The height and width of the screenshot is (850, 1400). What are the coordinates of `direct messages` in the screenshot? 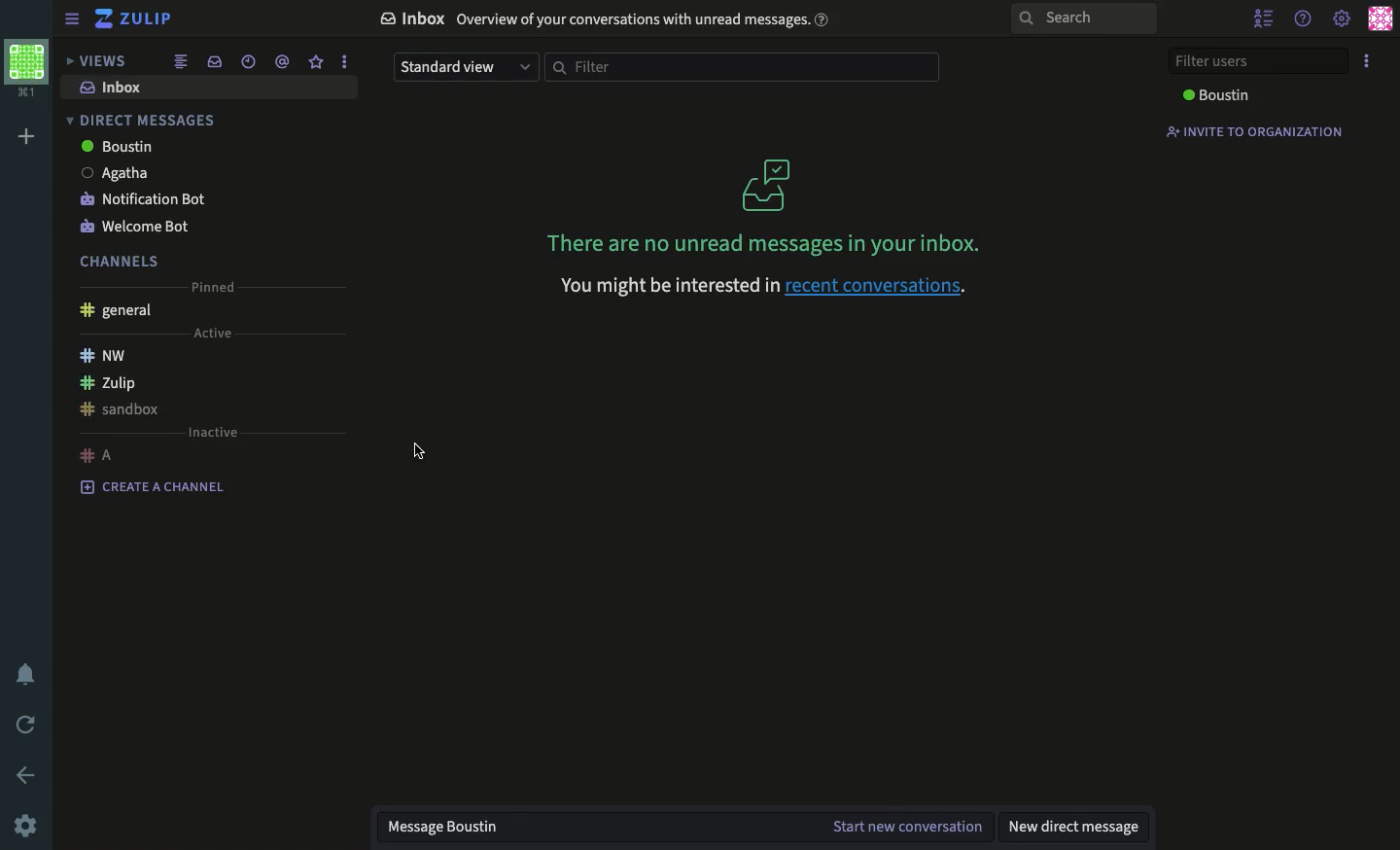 It's located at (144, 121).